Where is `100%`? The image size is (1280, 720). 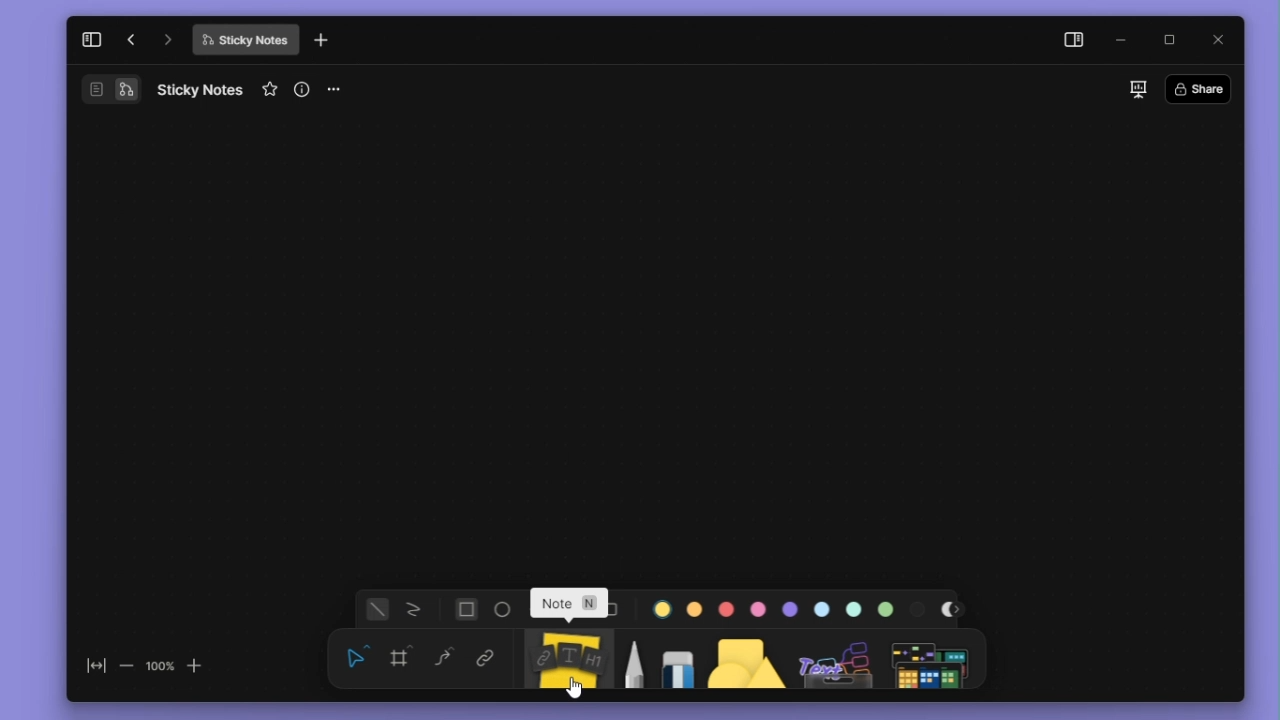
100% is located at coordinates (161, 661).